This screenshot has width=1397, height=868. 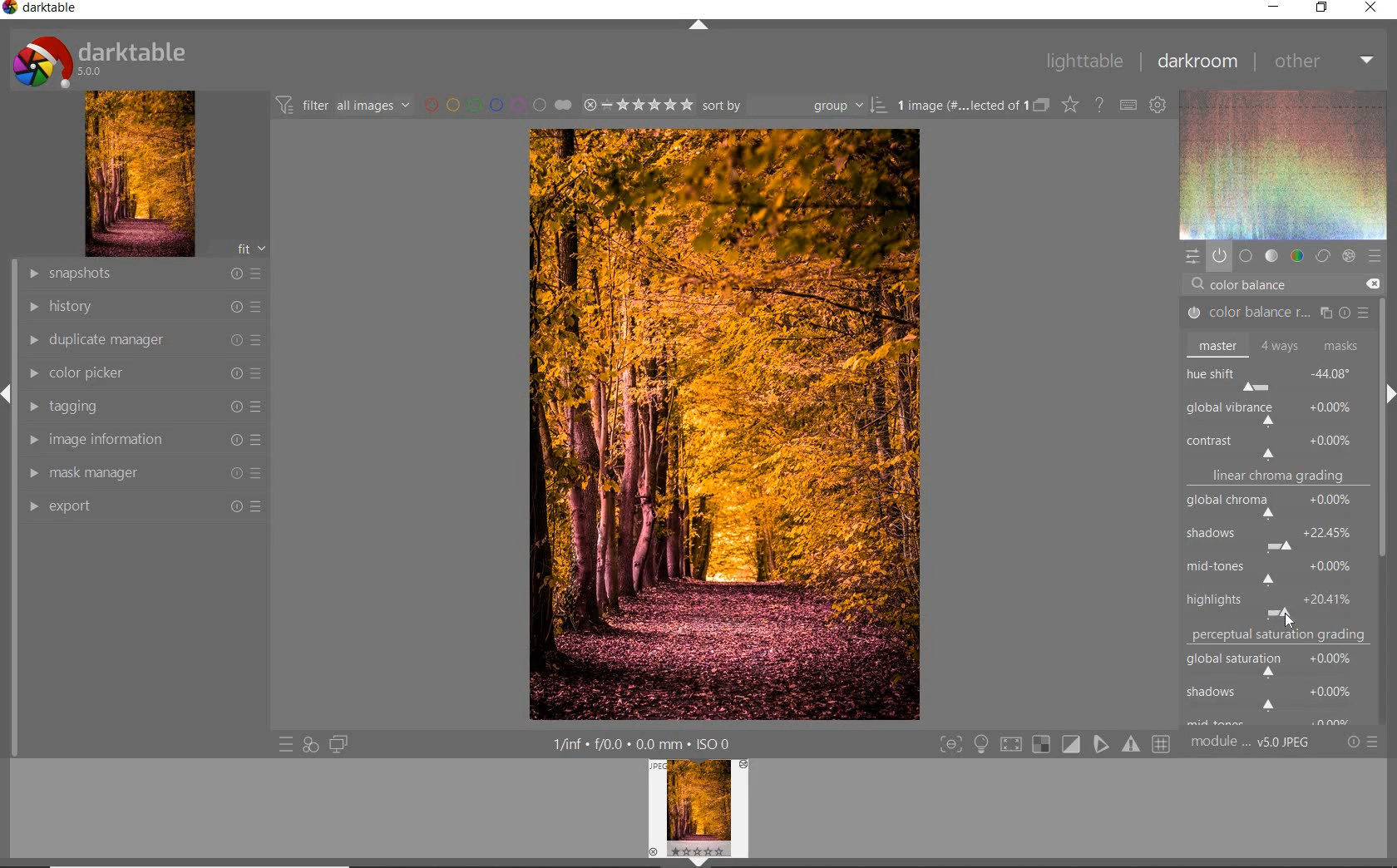 What do you see at coordinates (141, 439) in the screenshot?
I see `image information` at bounding box center [141, 439].